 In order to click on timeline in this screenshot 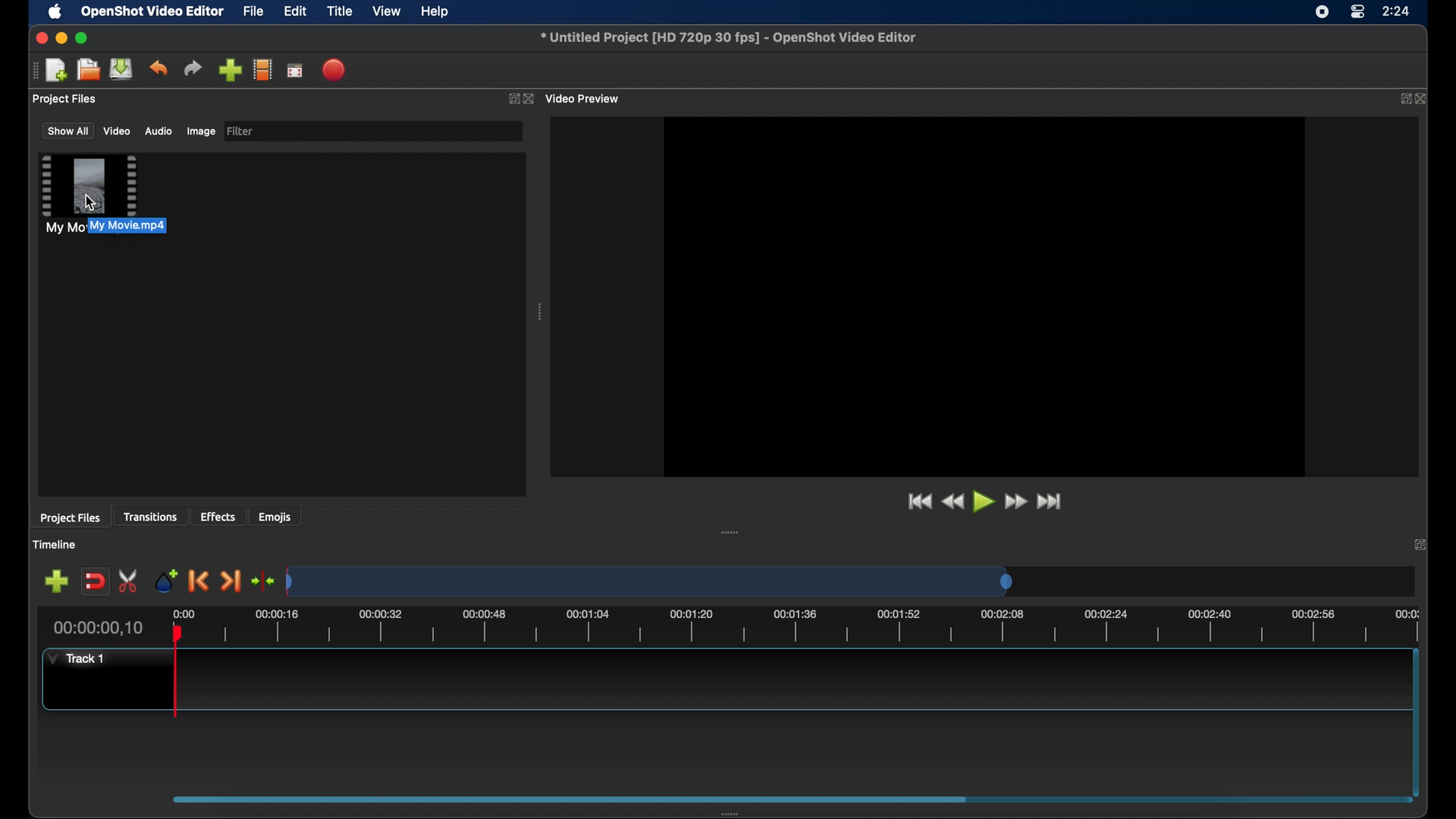, I will do `click(55, 544)`.